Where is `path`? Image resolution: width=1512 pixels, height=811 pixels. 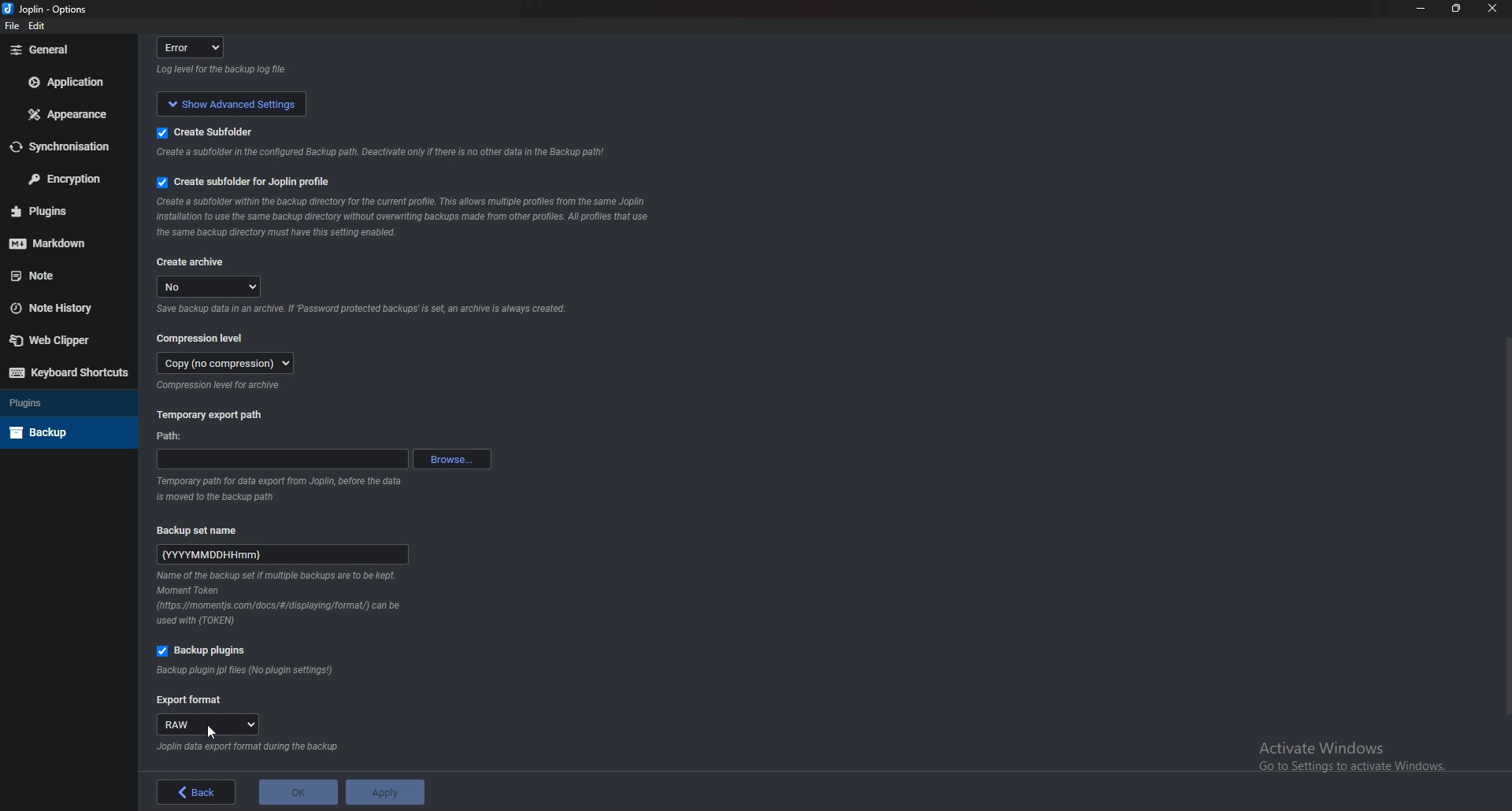 path is located at coordinates (174, 438).